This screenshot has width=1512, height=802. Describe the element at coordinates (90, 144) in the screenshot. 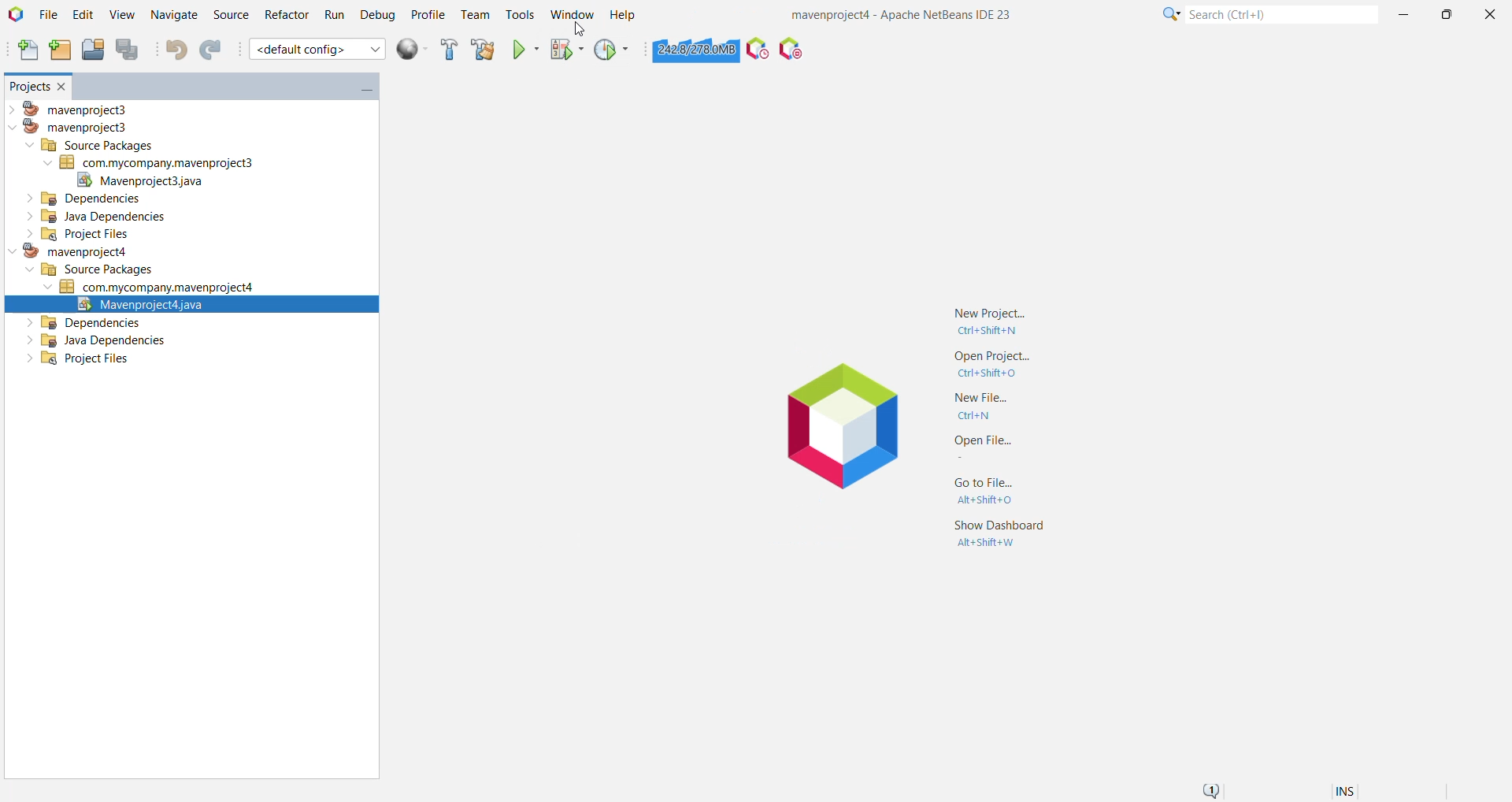

I see `Source Packages` at that location.